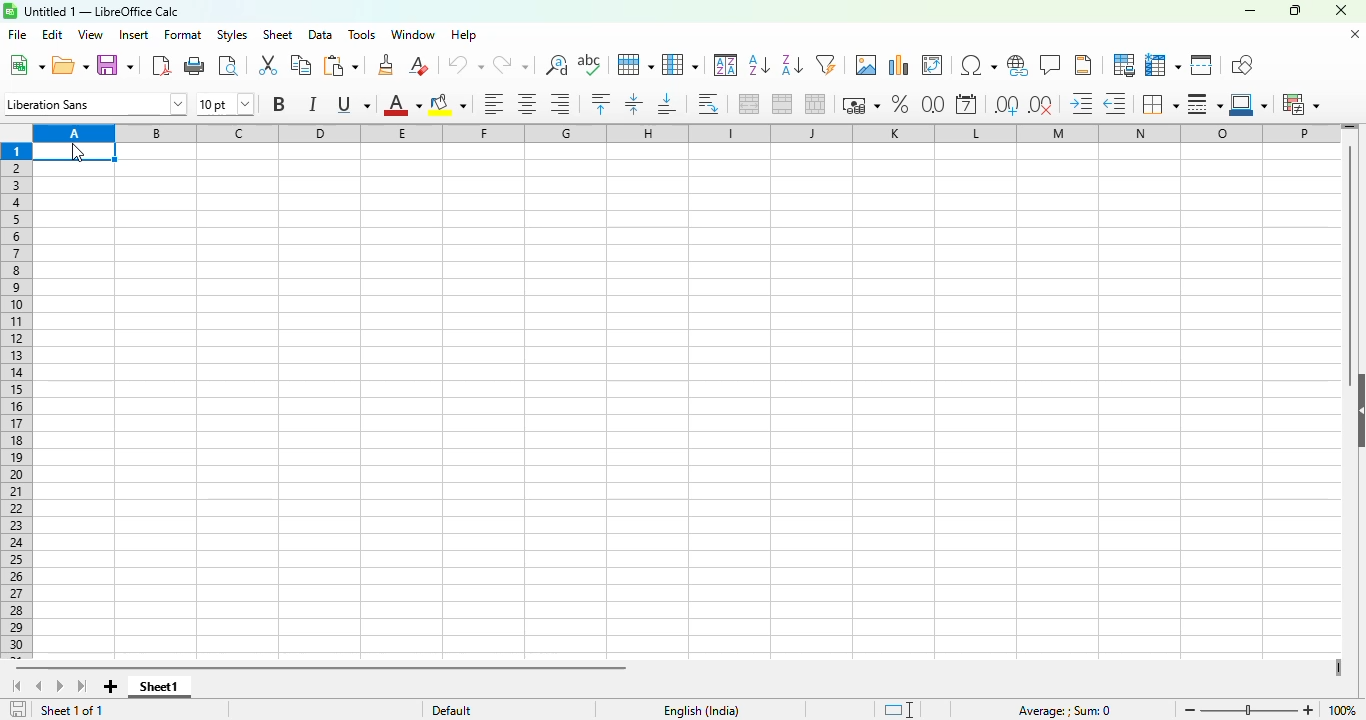  I want to click on delete decimal, so click(1041, 105).